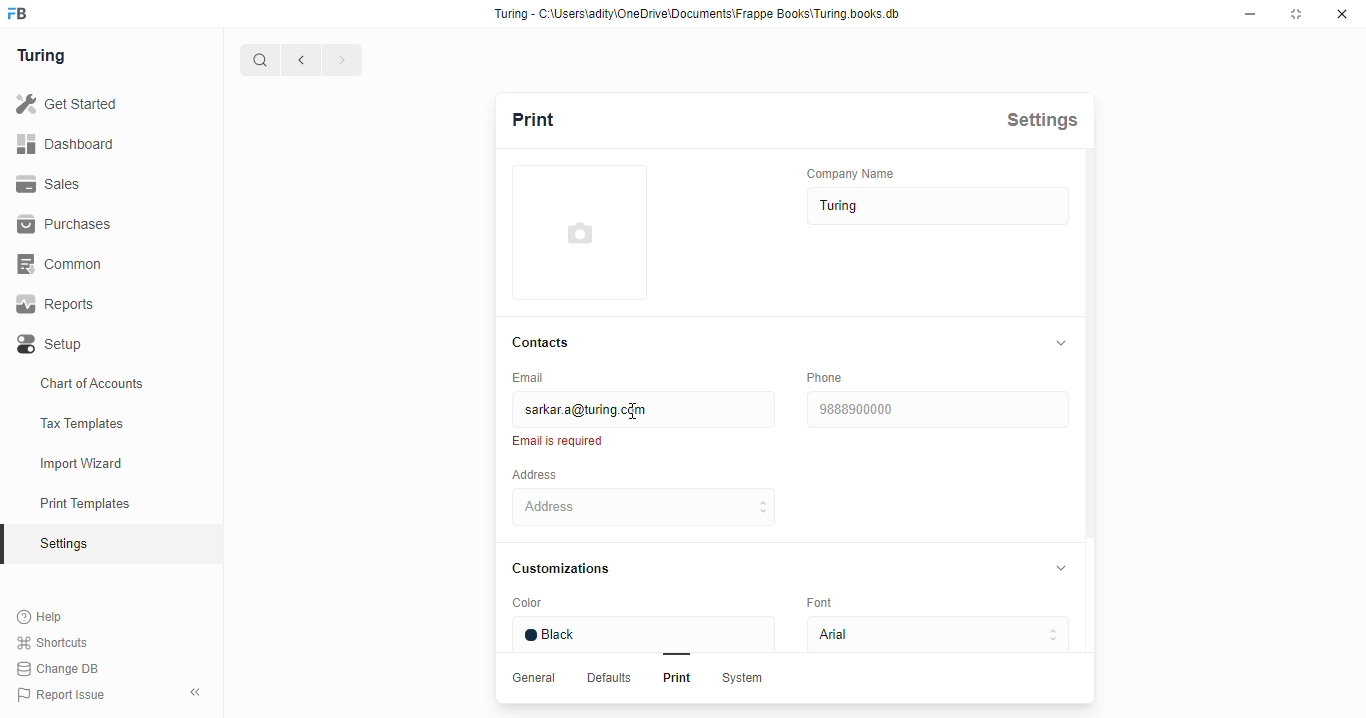  I want to click on Defaults, so click(611, 679).